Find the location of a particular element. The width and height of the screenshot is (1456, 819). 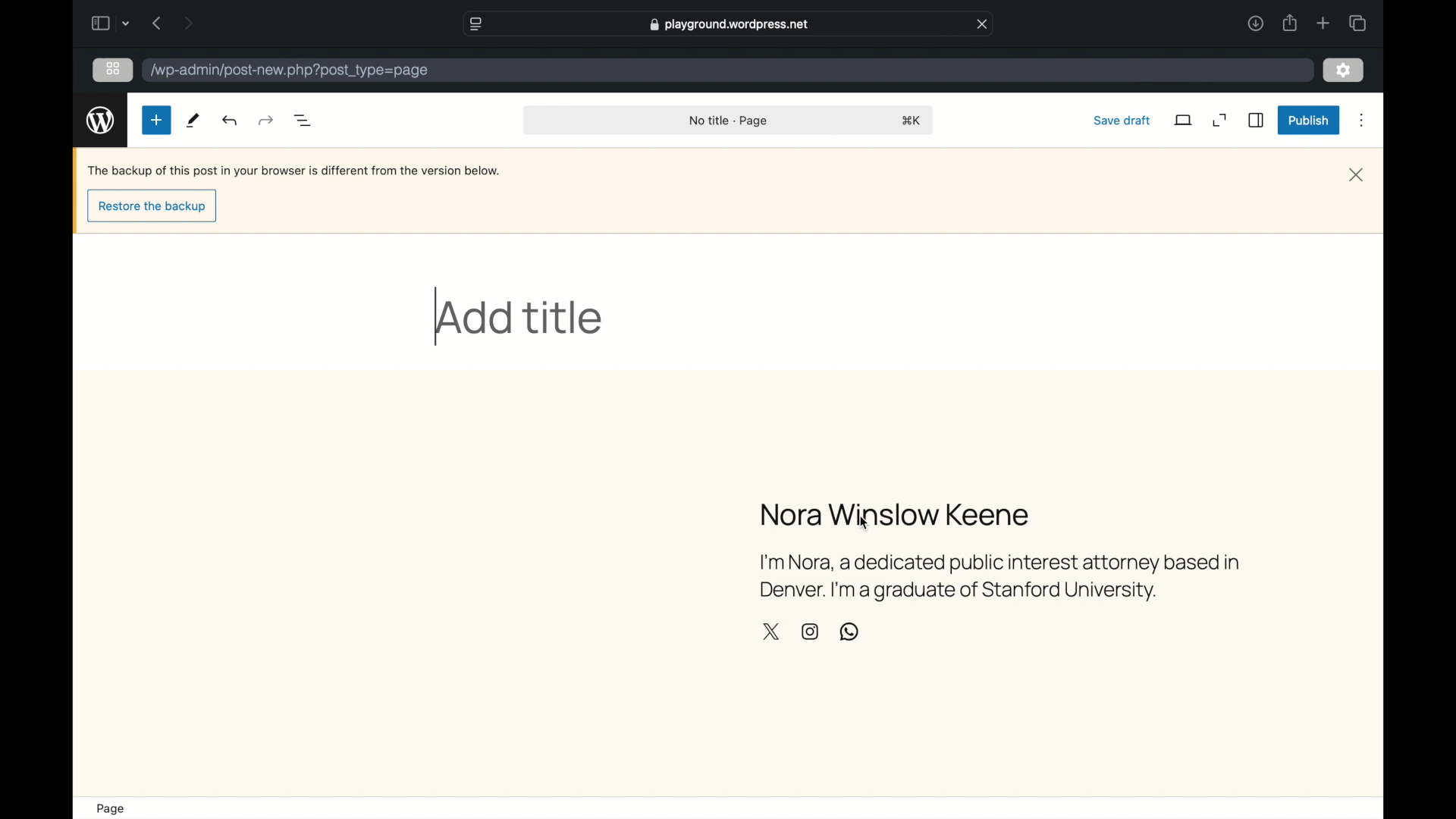

undo is located at coordinates (268, 120).